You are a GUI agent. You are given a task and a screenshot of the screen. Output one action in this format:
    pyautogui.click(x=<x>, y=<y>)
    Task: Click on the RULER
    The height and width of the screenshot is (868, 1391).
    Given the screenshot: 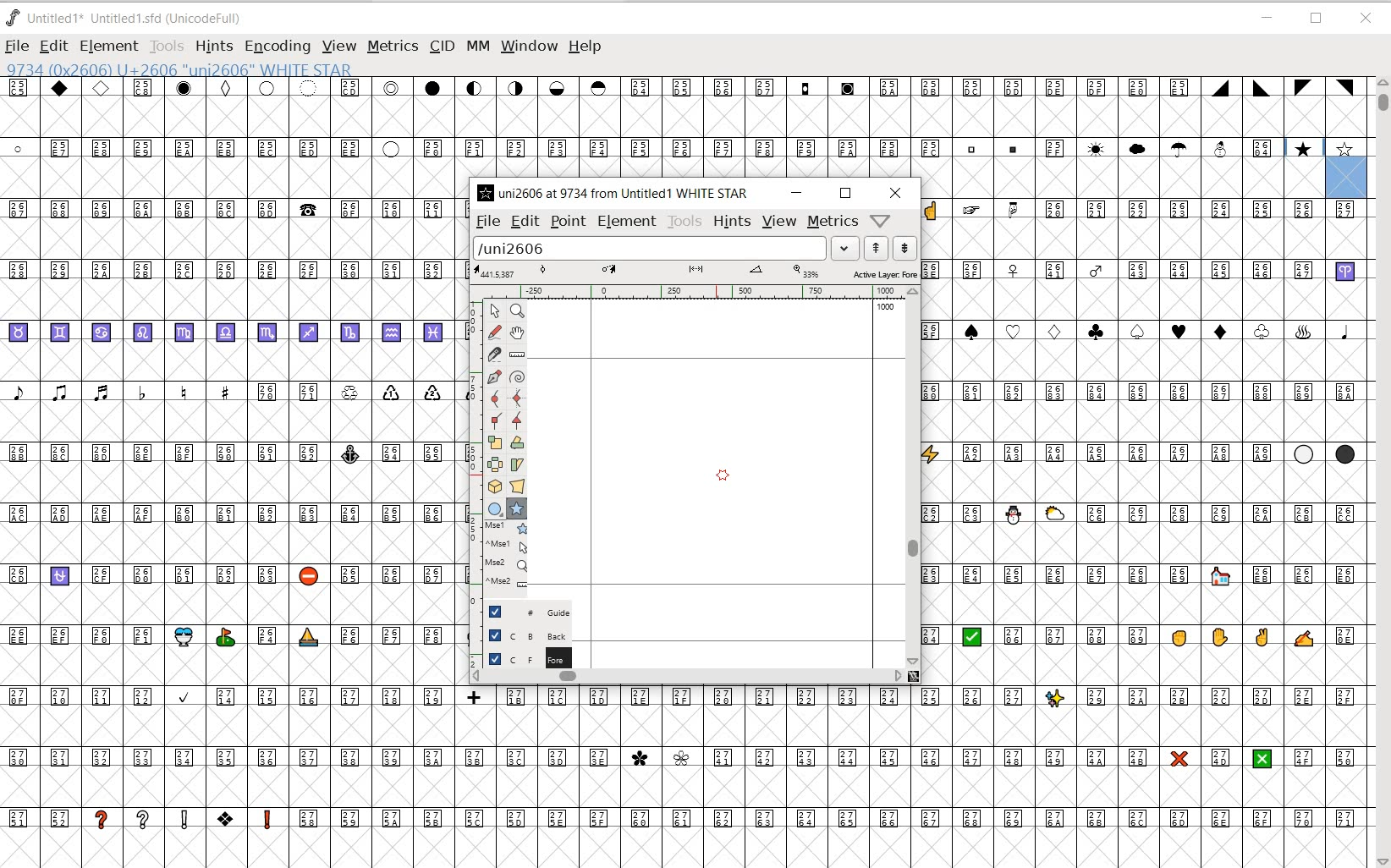 What is the action you would take?
    pyautogui.click(x=691, y=291)
    